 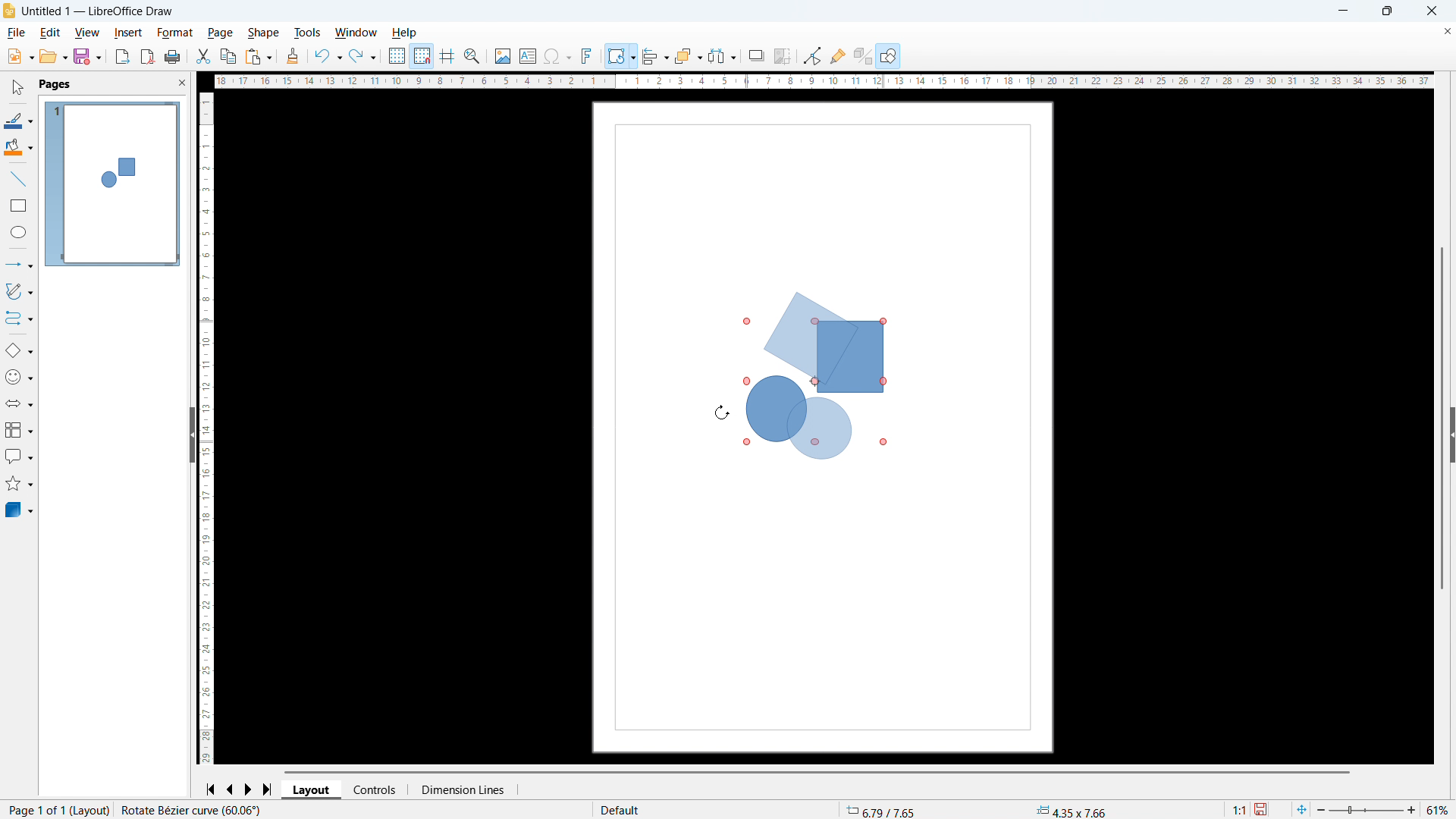 I want to click on Vertical scroll bar , so click(x=1442, y=317).